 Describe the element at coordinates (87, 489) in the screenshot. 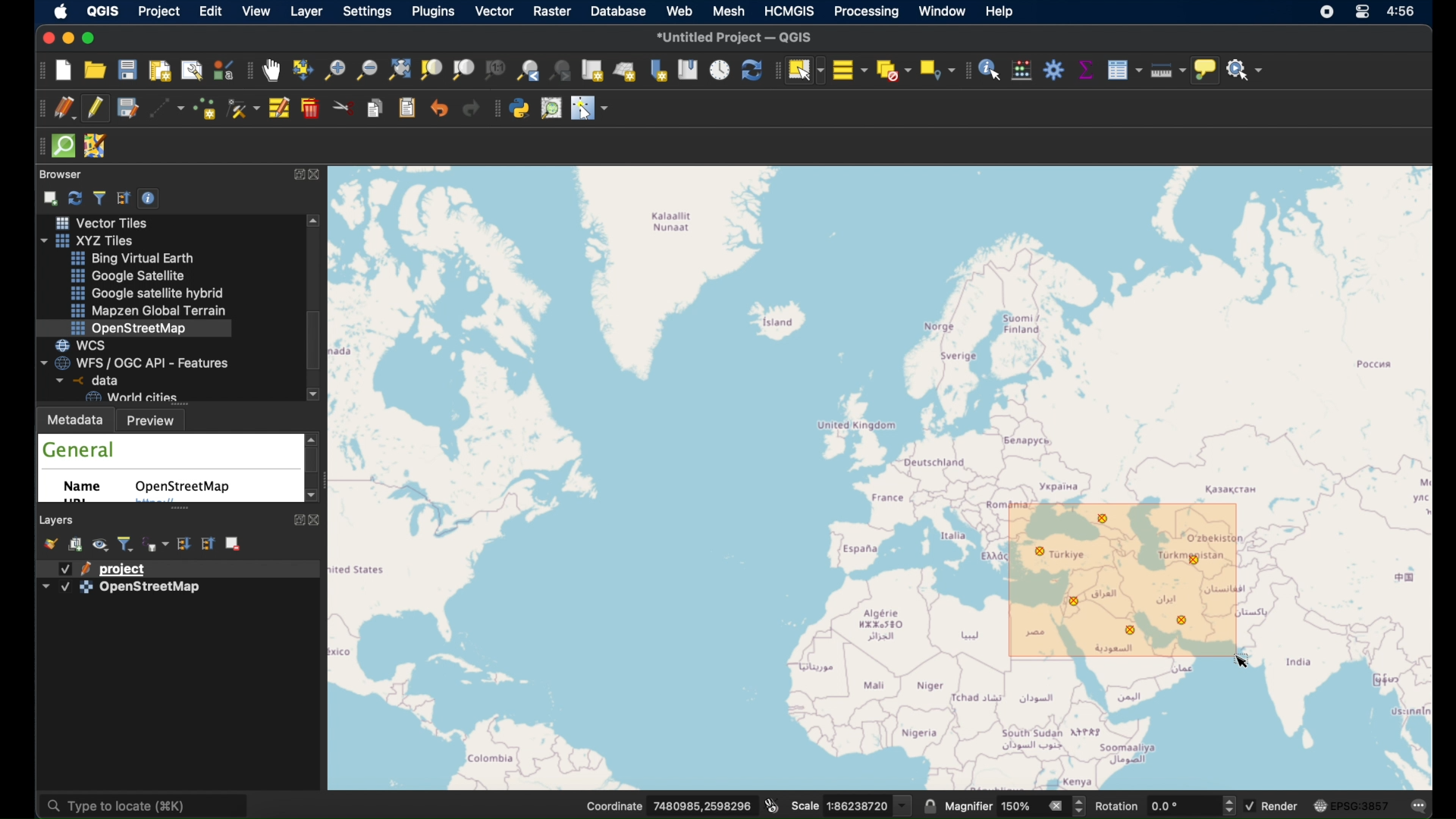

I see `name` at that location.